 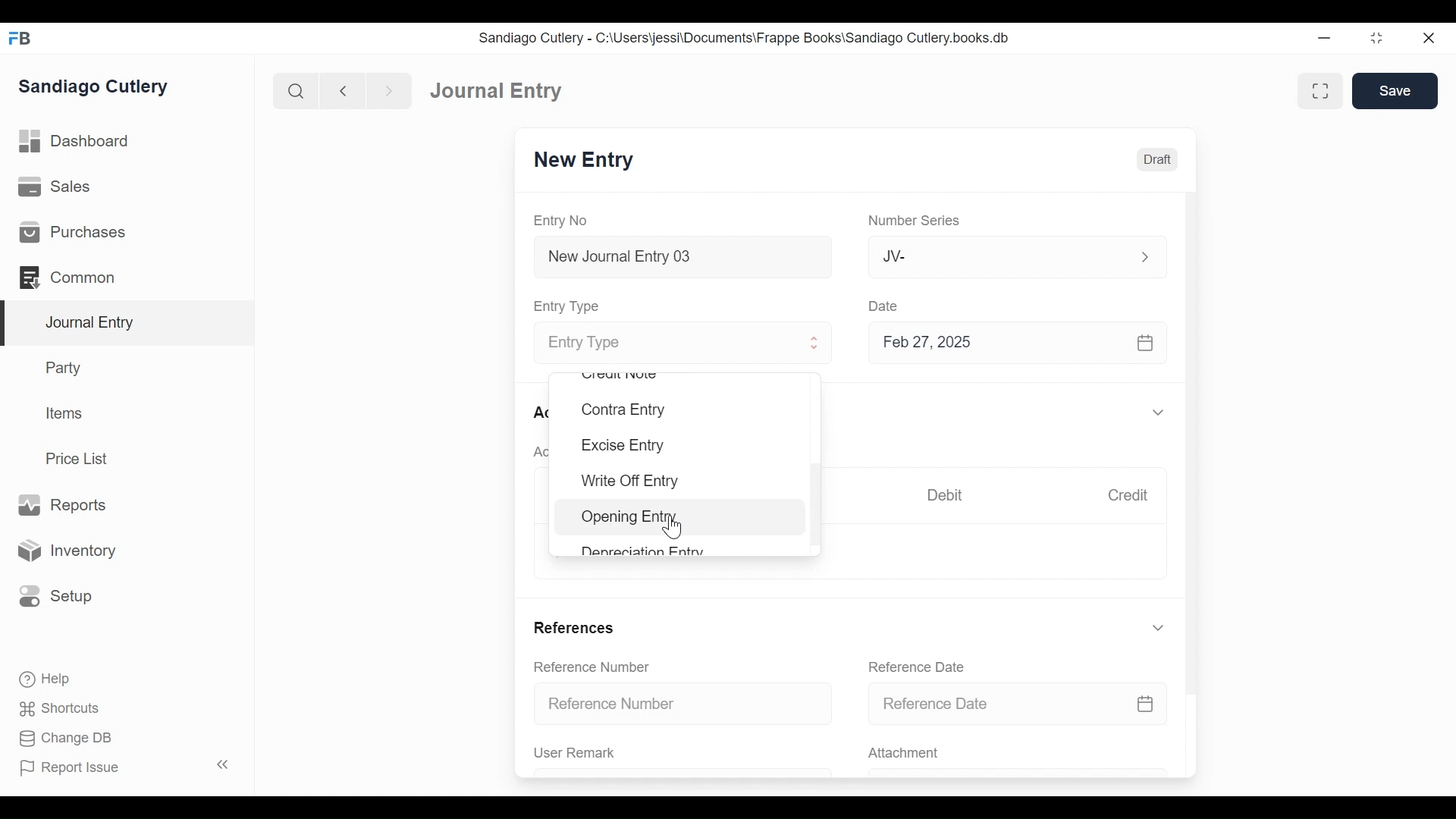 What do you see at coordinates (817, 494) in the screenshot?
I see `Vertical Scroll bar` at bounding box center [817, 494].